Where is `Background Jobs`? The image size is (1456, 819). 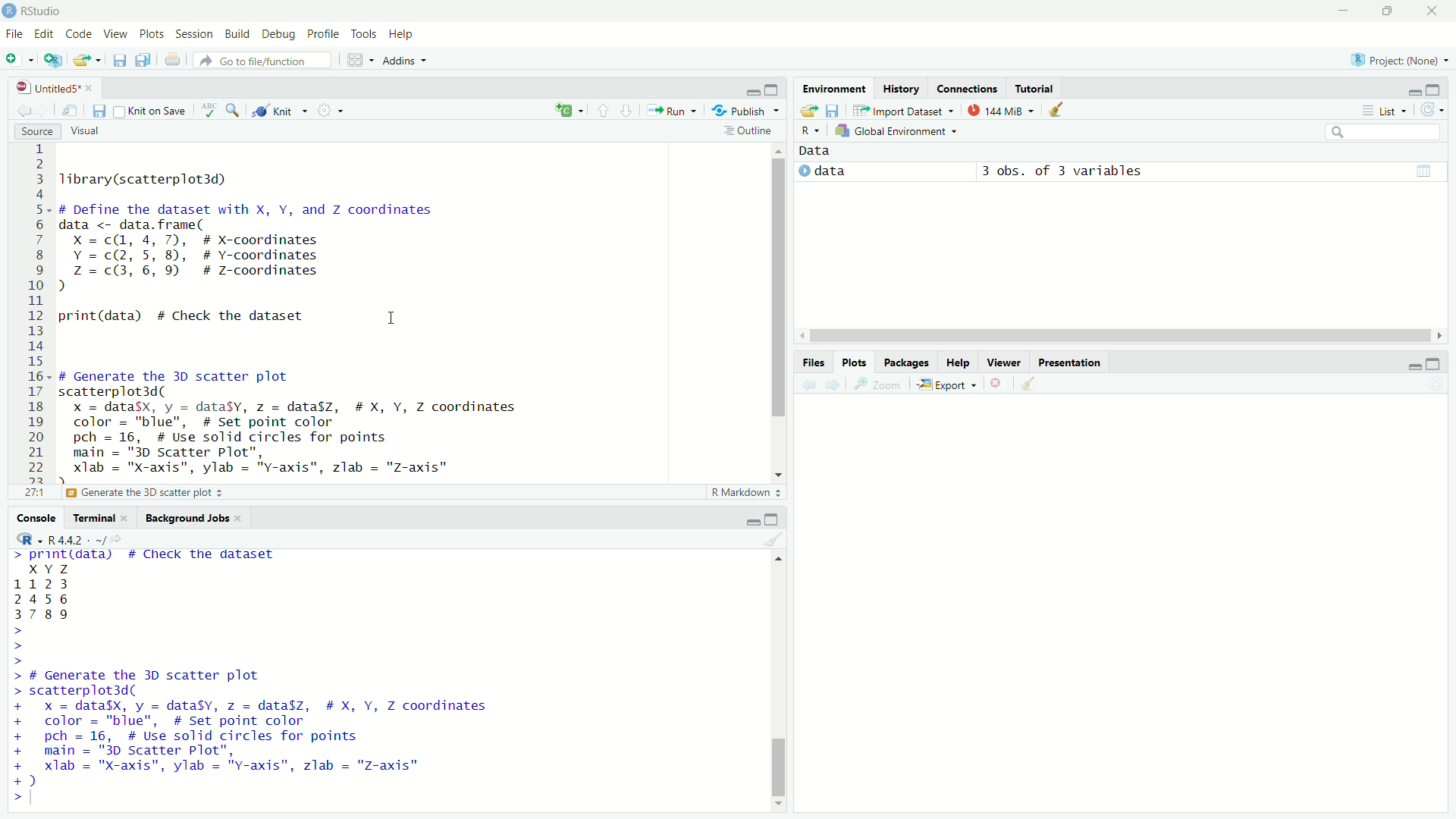
Background Jobs is located at coordinates (187, 519).